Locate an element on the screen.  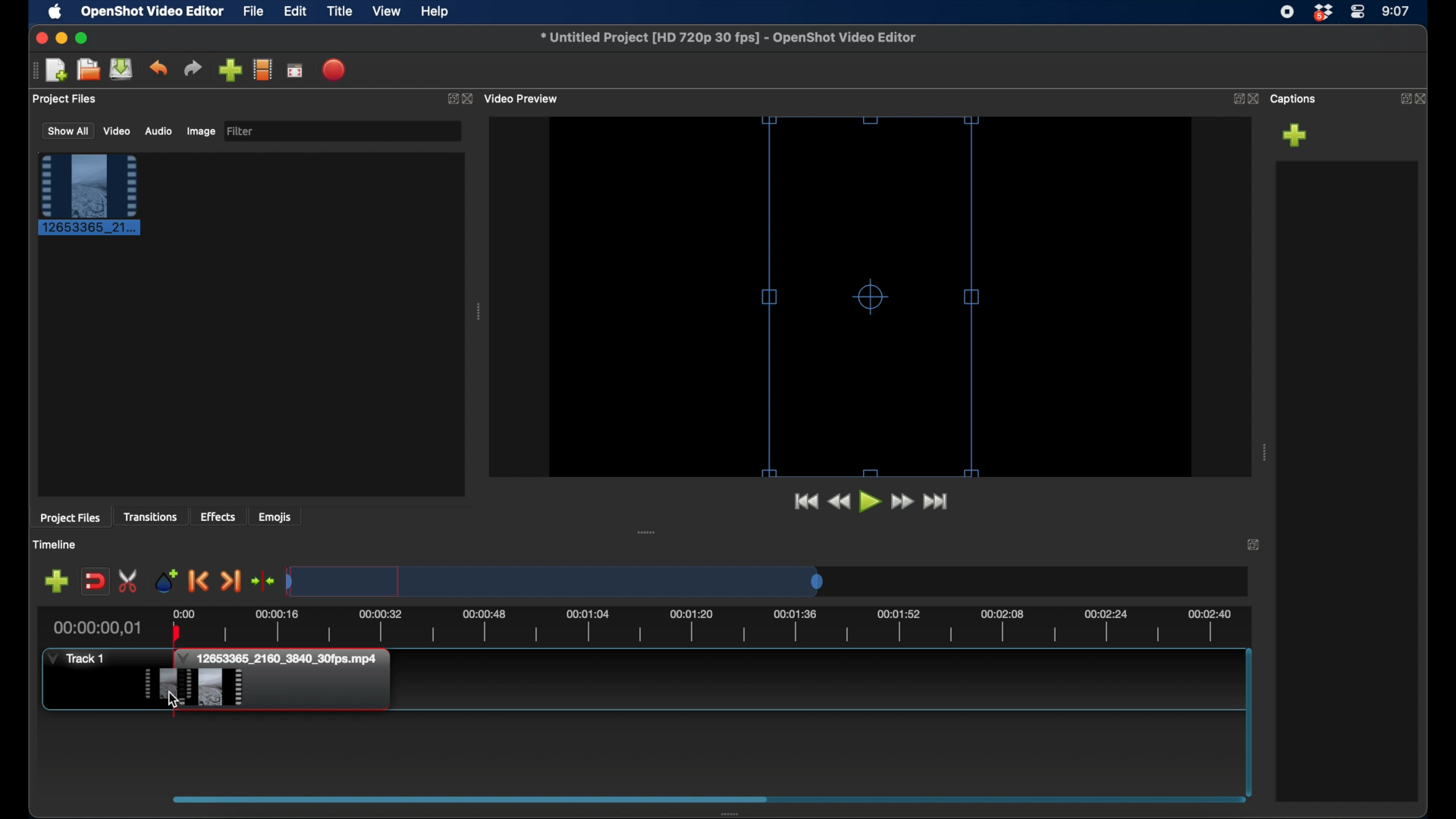
play is located at coordinates (869, 501).